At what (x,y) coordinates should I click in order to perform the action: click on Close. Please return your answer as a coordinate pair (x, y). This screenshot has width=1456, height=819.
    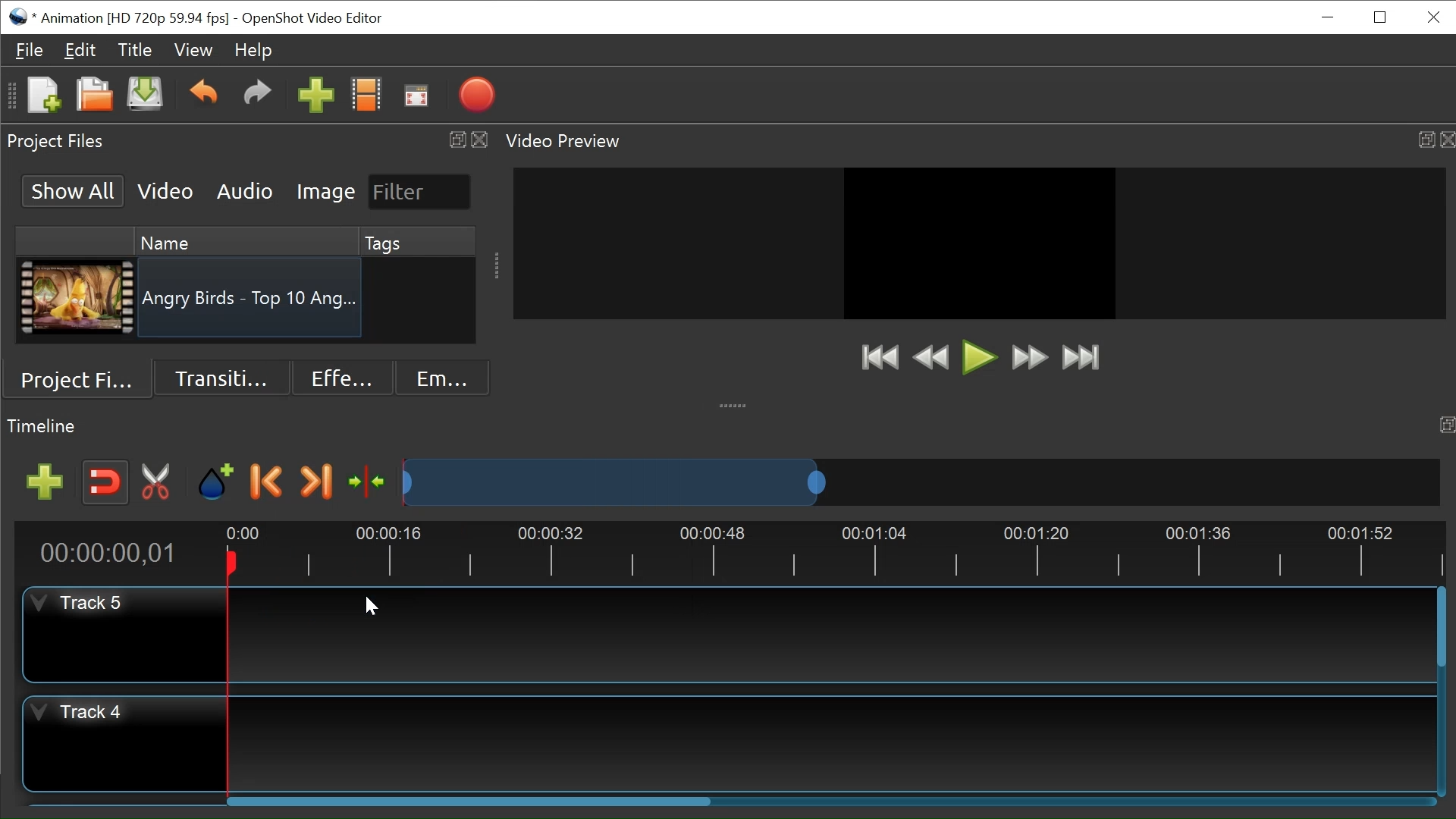
    Looking at the image, I should click on (1431, 17).